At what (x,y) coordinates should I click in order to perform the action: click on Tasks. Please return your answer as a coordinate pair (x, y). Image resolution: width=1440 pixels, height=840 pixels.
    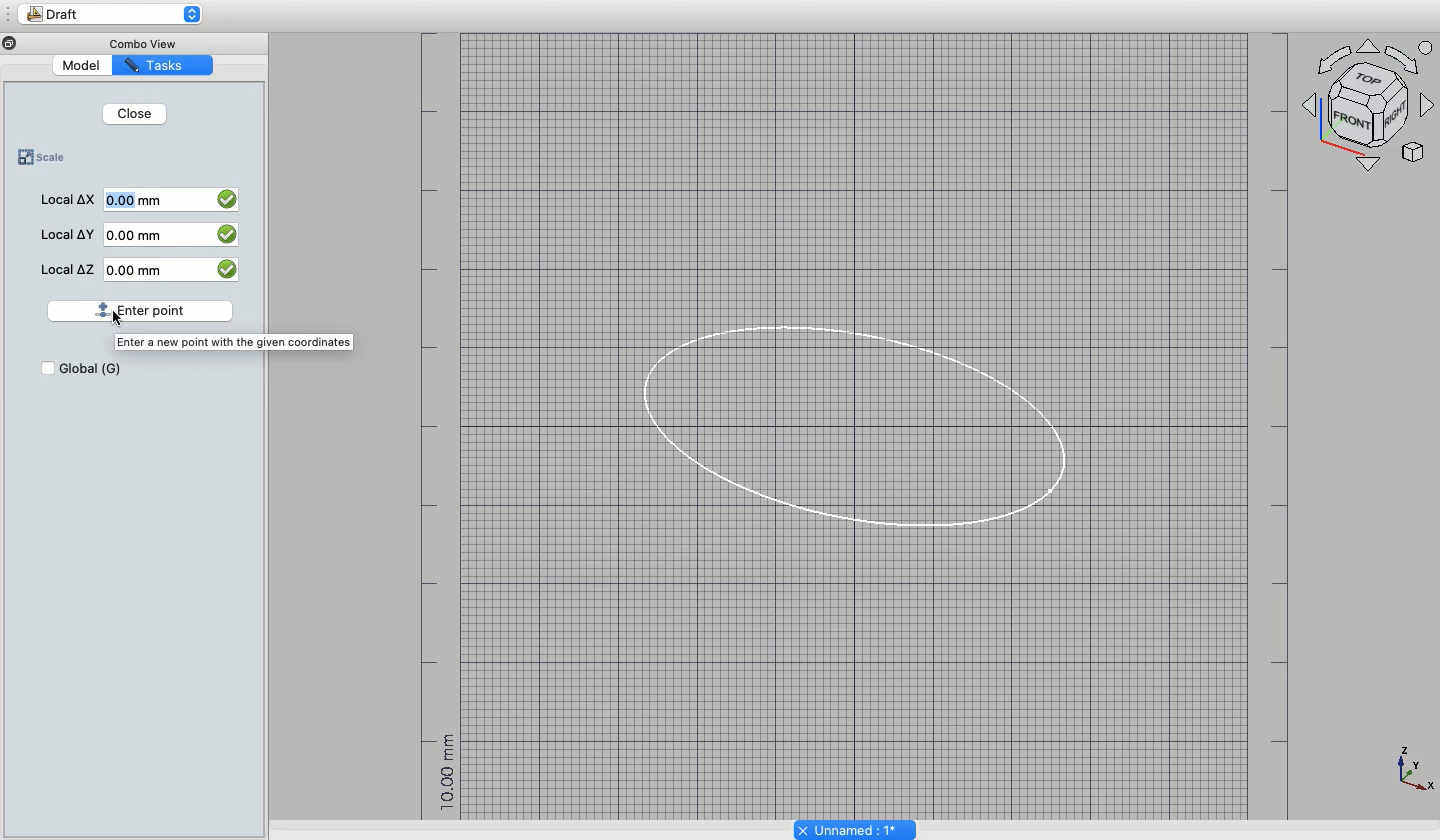
    Looking at the image, I should click on (164, 65).